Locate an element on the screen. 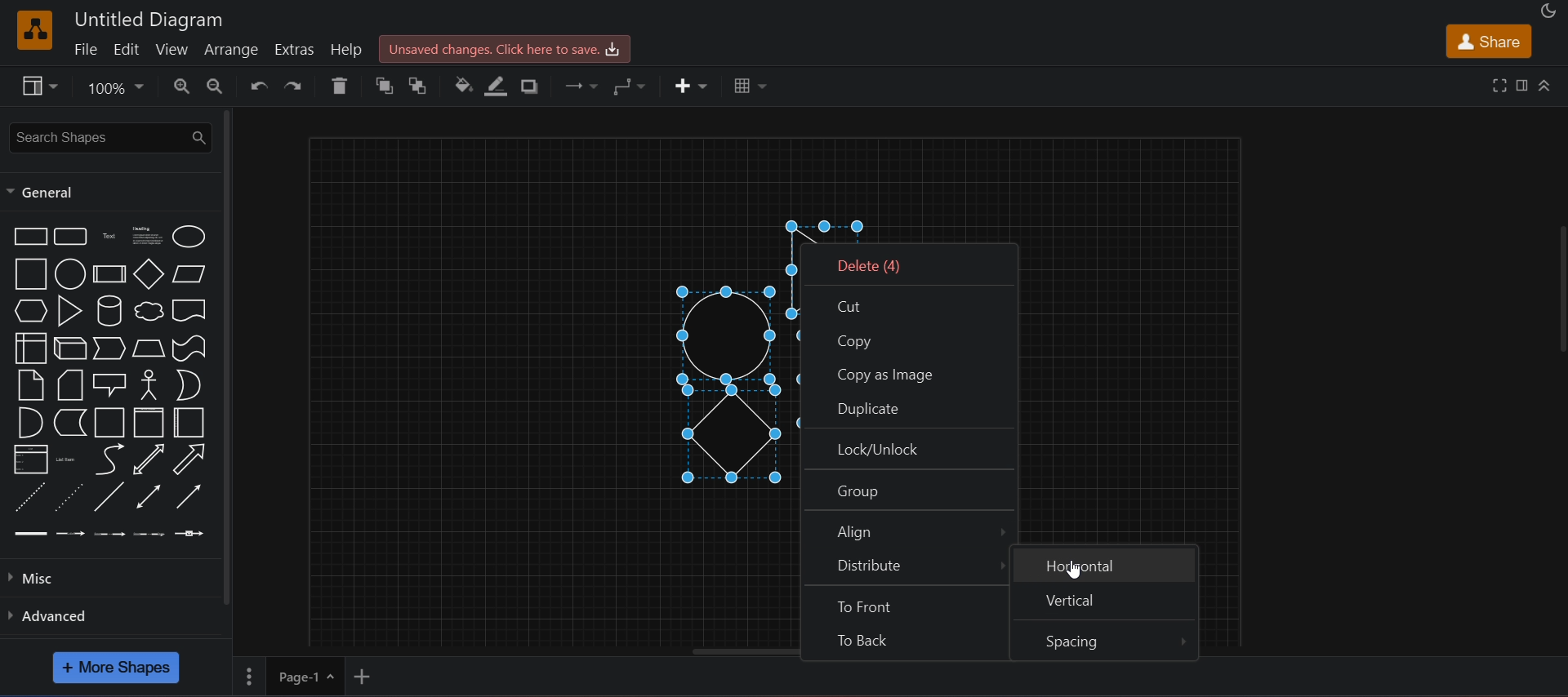 Image resolution: width=1568 pixels, height=697 pixels. cloud is located at coordinates (146, 313).